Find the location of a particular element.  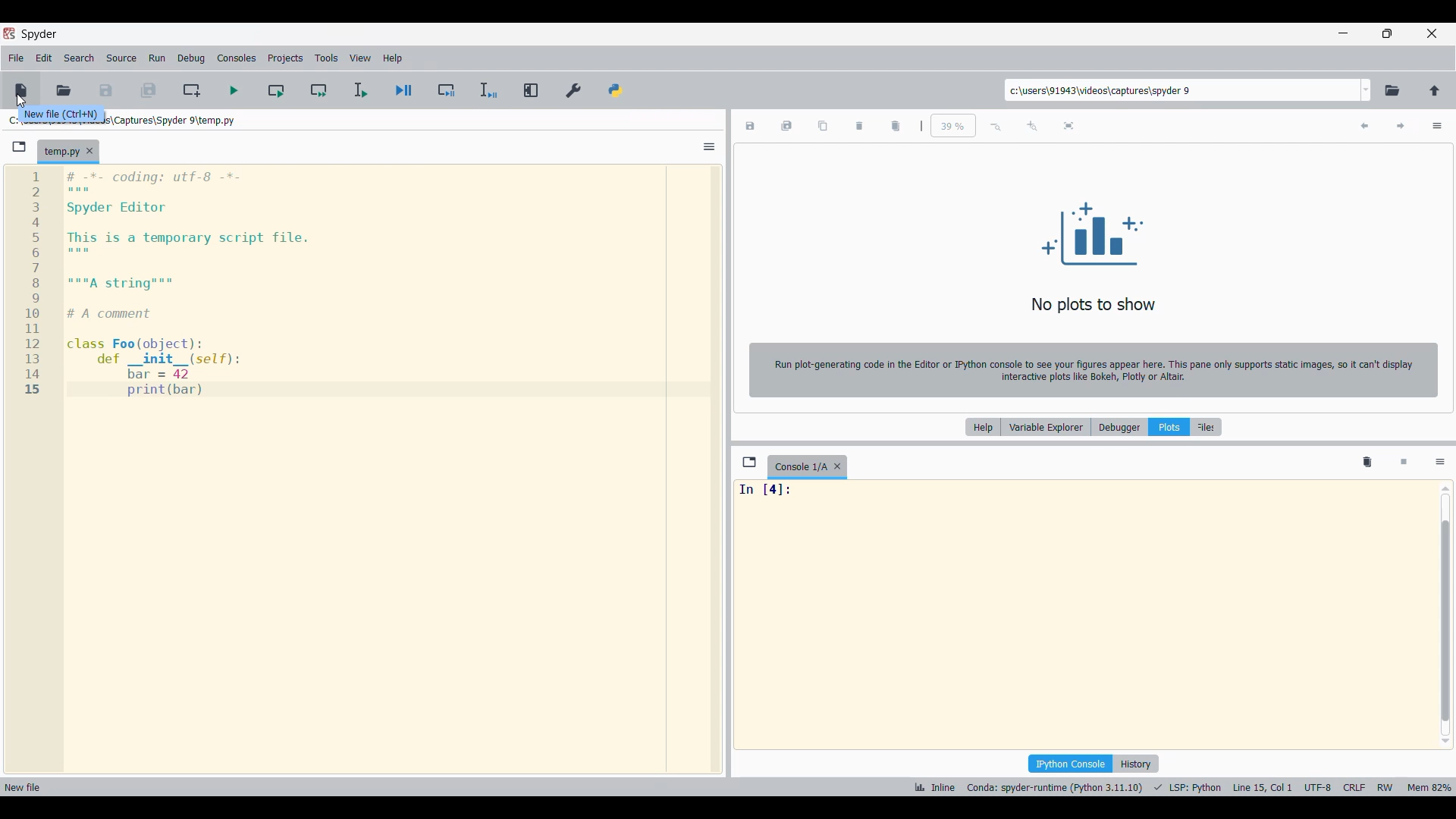

Options is located at coordinates (1438, 126).